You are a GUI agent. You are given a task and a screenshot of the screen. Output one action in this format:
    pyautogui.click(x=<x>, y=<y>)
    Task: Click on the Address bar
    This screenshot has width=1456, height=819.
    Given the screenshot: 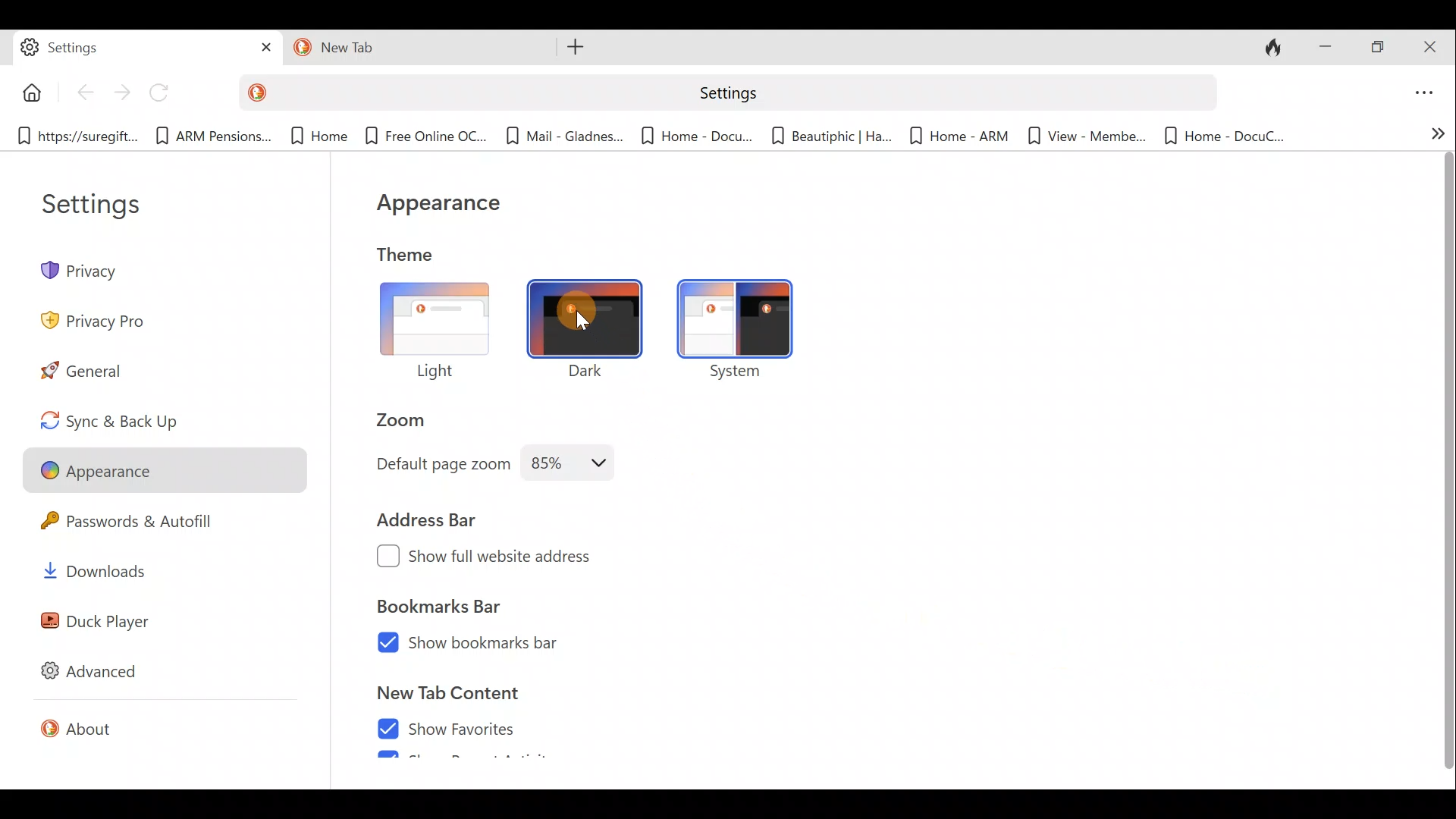 What is the action you would take?
    pyautogui.click(x=428, y=518)
    